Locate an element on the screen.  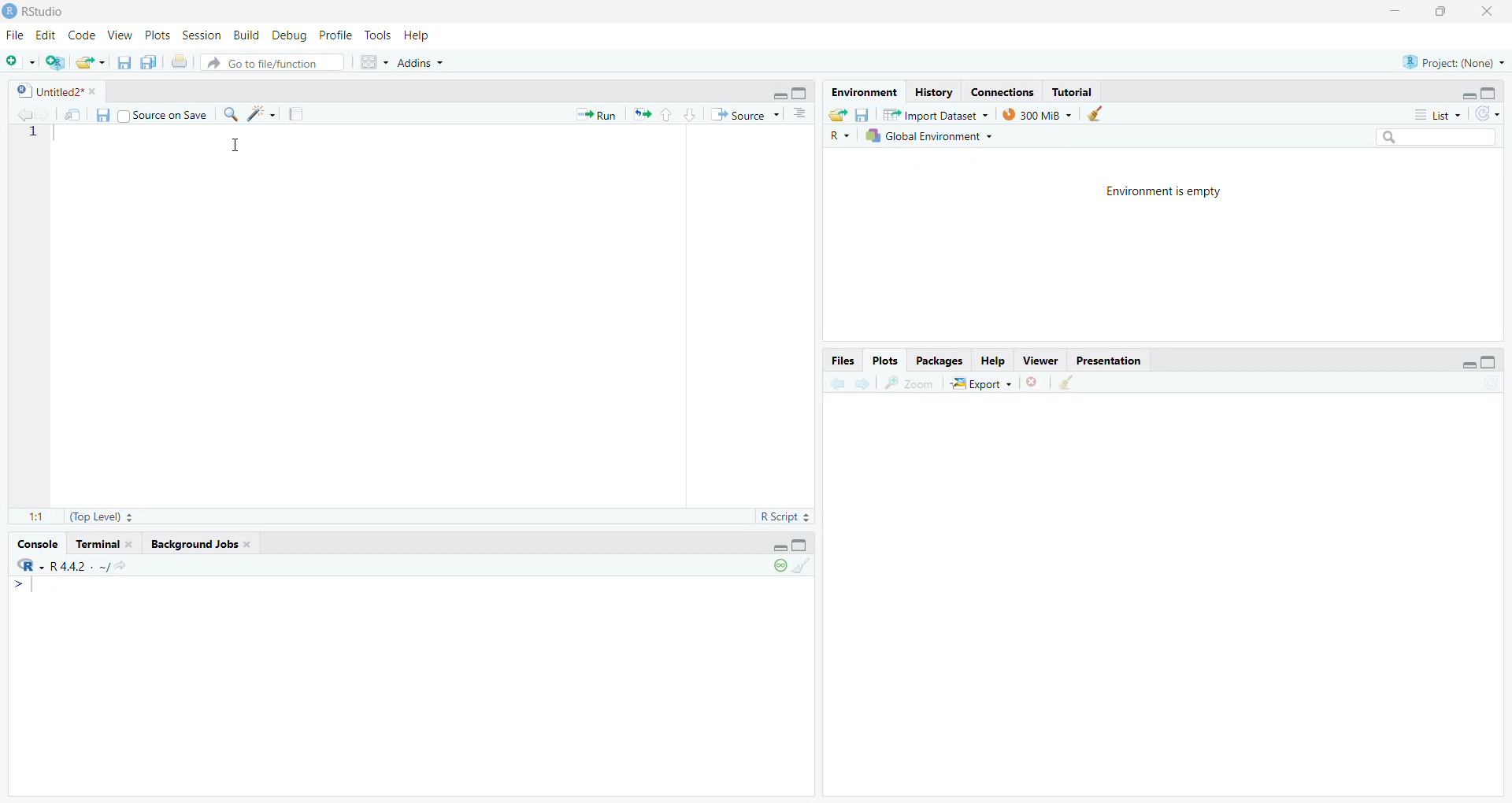
clear all plots is located at coordinates (1069, 383).